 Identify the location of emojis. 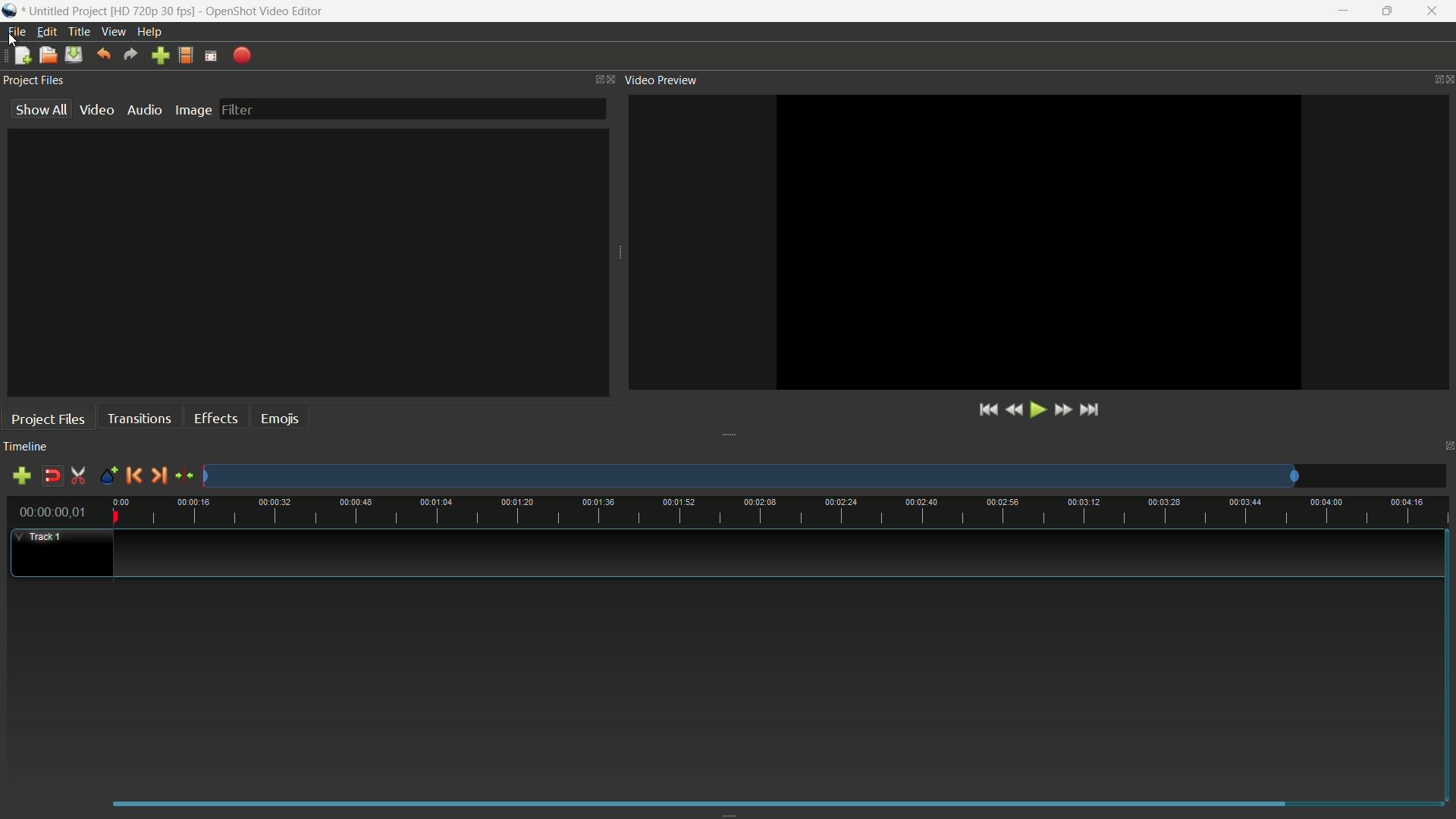
(283, 417).